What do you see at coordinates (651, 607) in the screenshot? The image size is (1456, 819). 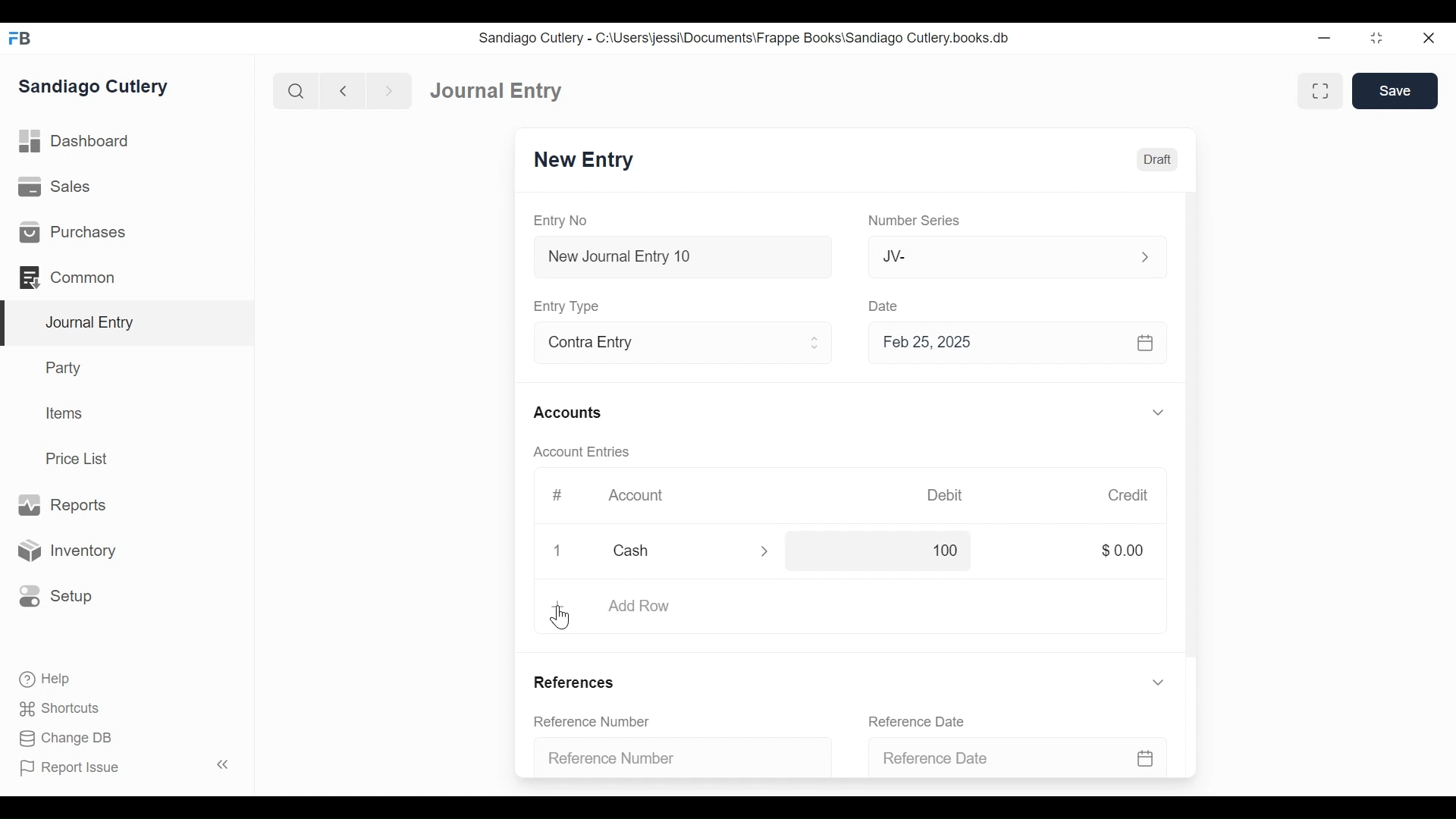 I see `Add Row` at bounding box center [651, 607].